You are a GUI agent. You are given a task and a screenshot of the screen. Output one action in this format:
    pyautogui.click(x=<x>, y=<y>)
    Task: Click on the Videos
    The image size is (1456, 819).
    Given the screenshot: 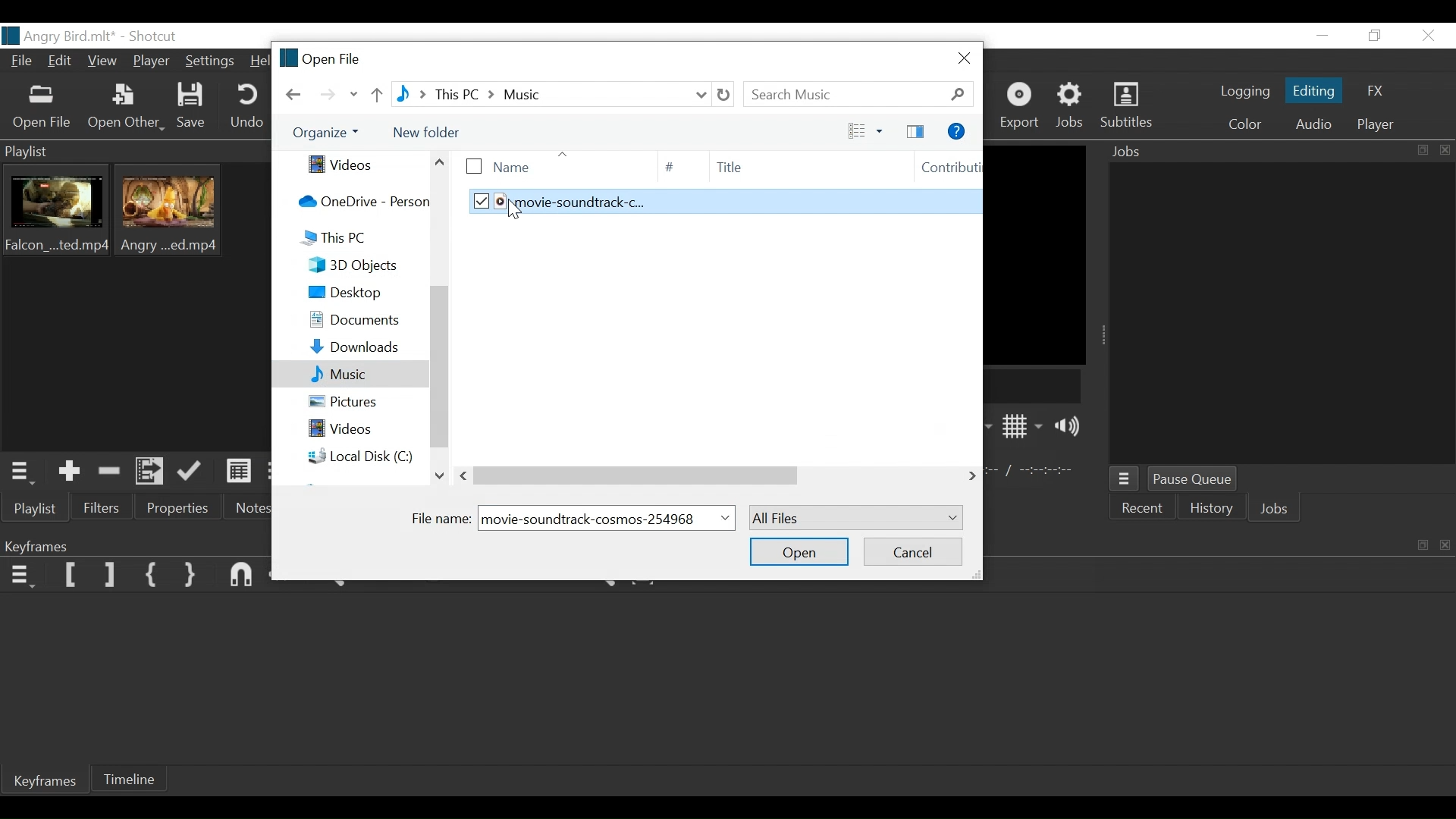 What is the action you would take?
    pyautogui.click(x=353, y=430)
    